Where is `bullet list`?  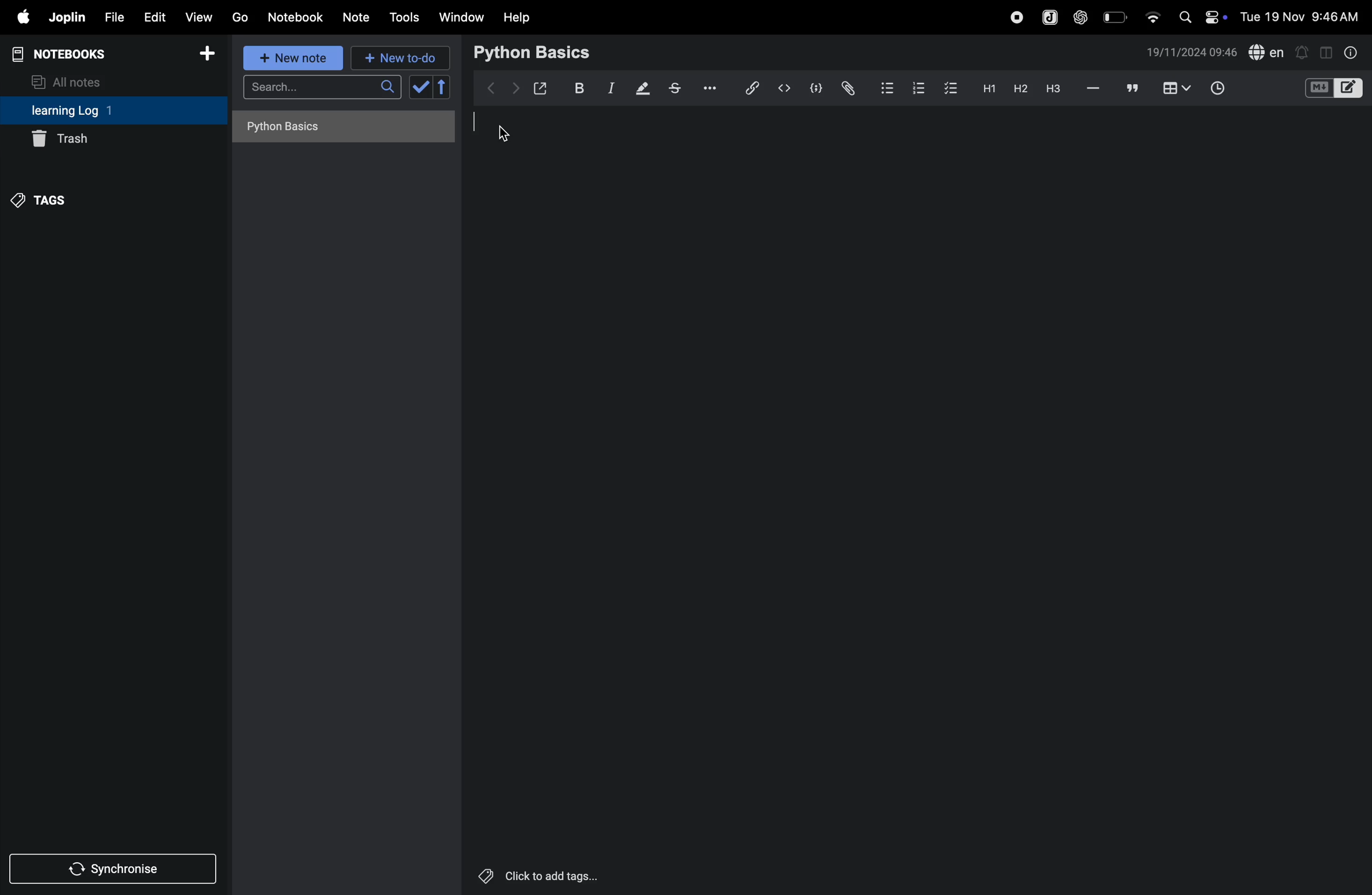 bullet list is located at coordinates (885, 87).